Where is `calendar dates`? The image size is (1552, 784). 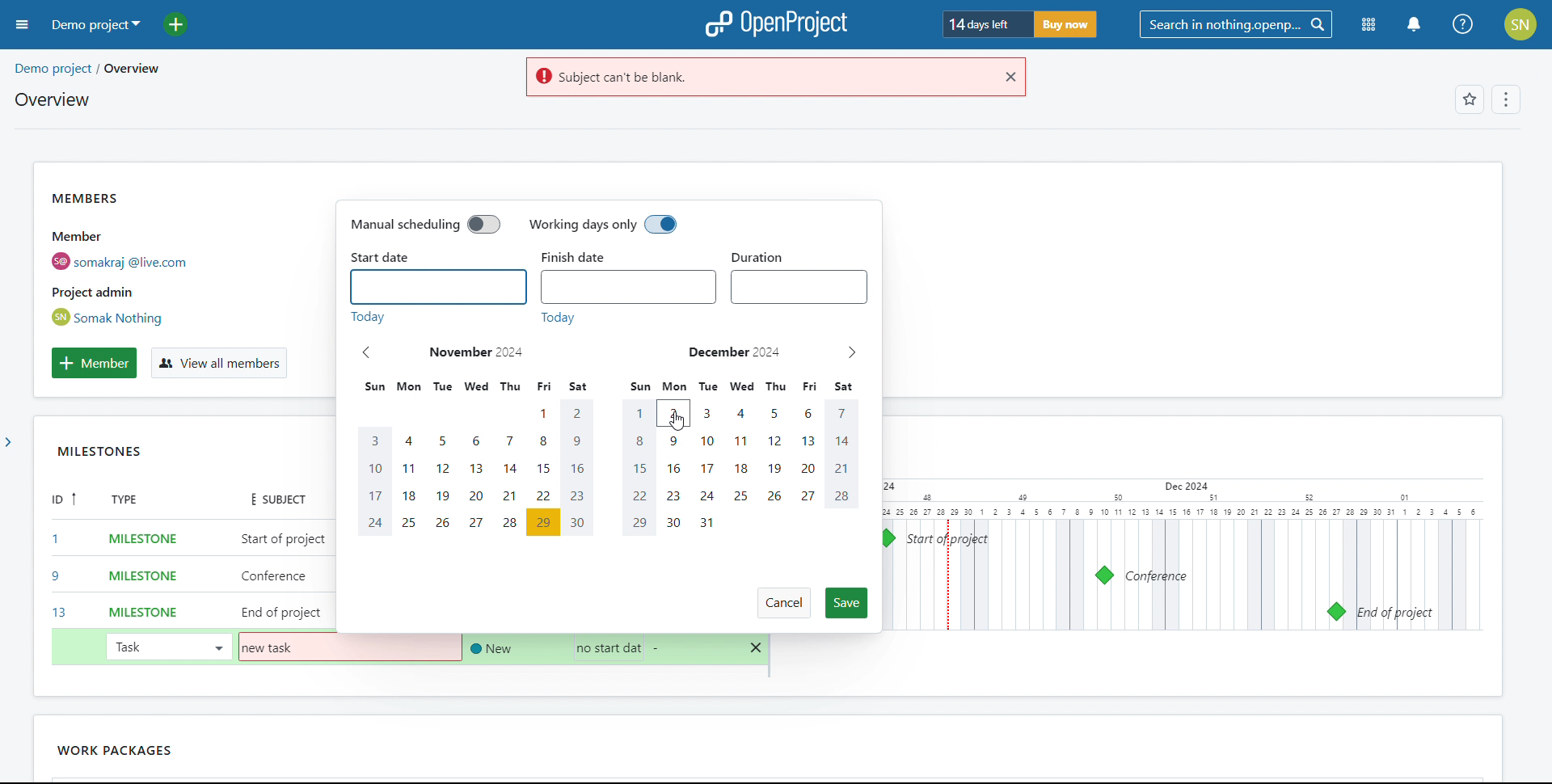
calendar dates is located at coordinates (608, 468).